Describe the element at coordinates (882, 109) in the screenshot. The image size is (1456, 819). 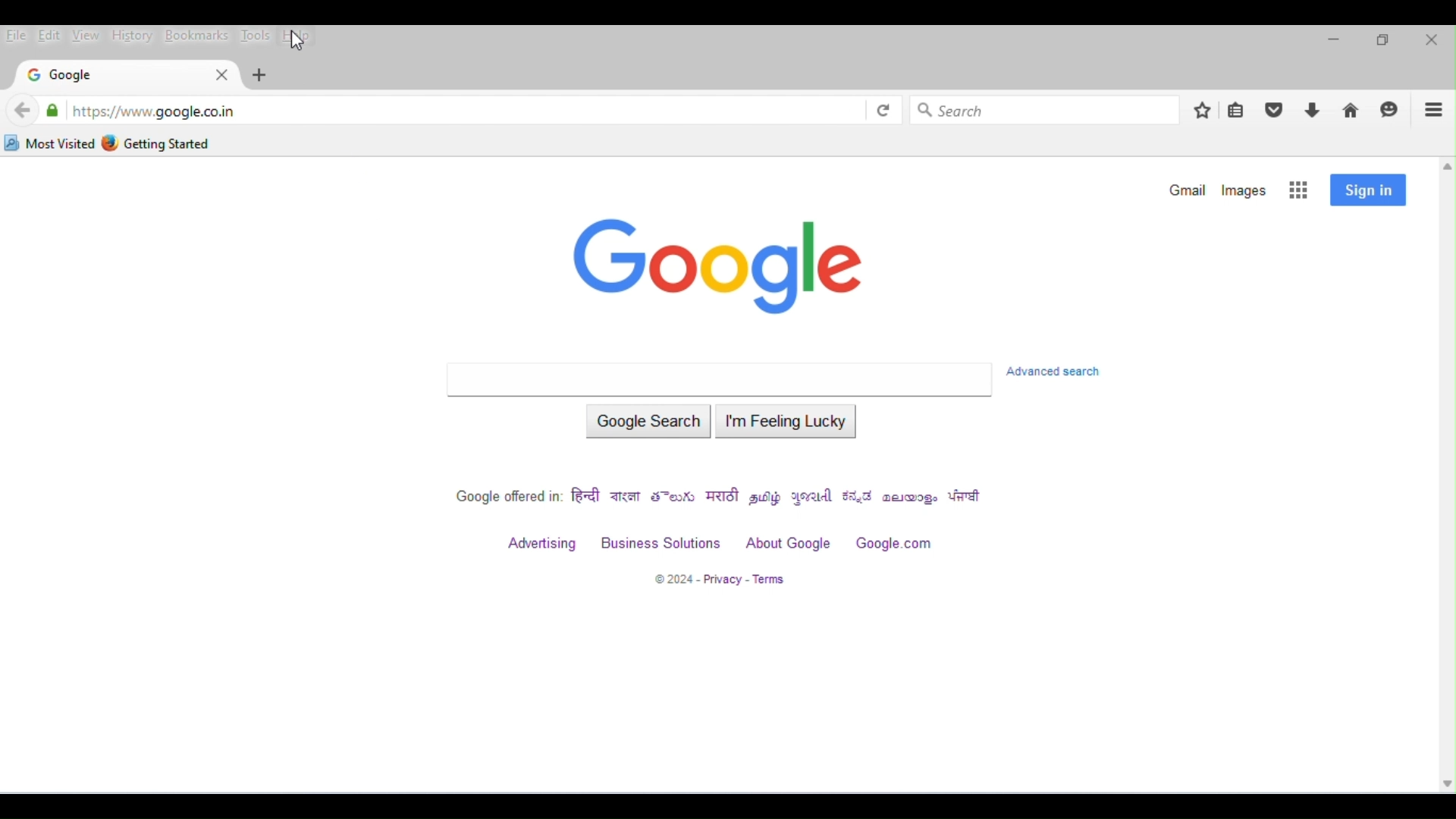
I see `refresh` at that location.